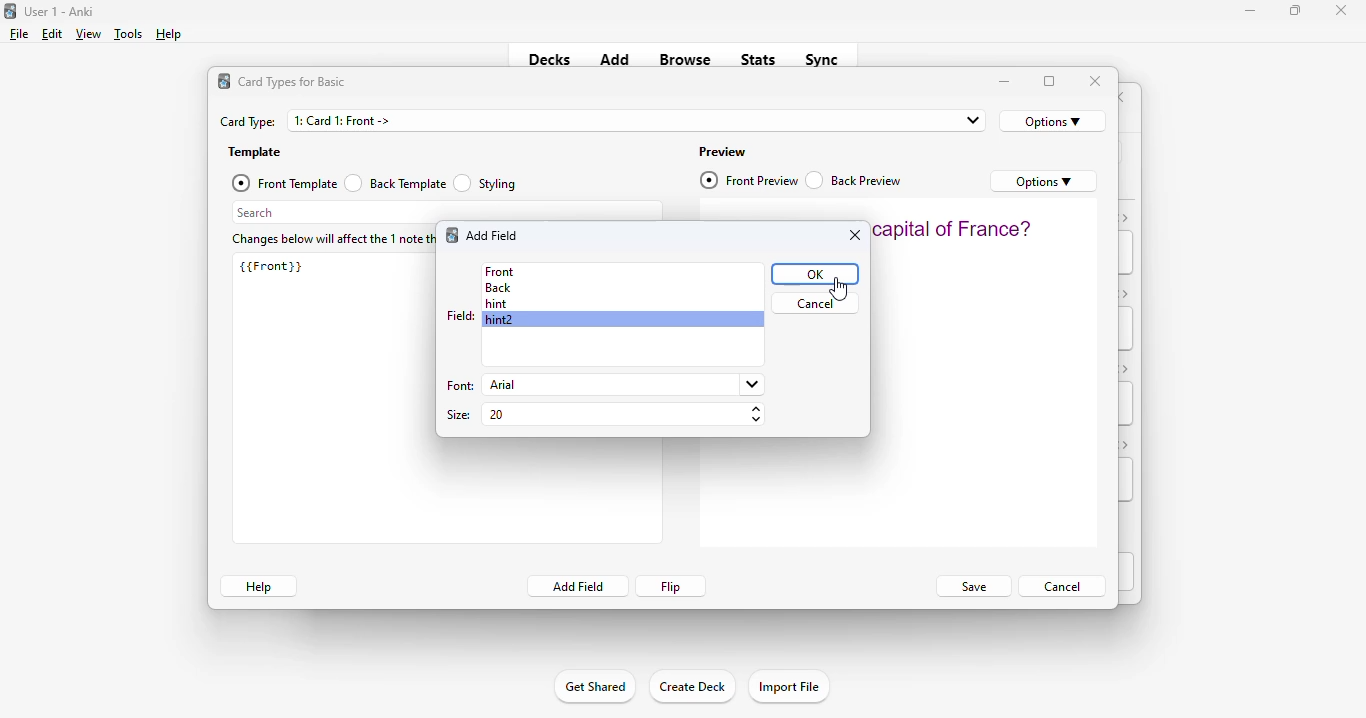  I want to click on title, so click(60, 11).